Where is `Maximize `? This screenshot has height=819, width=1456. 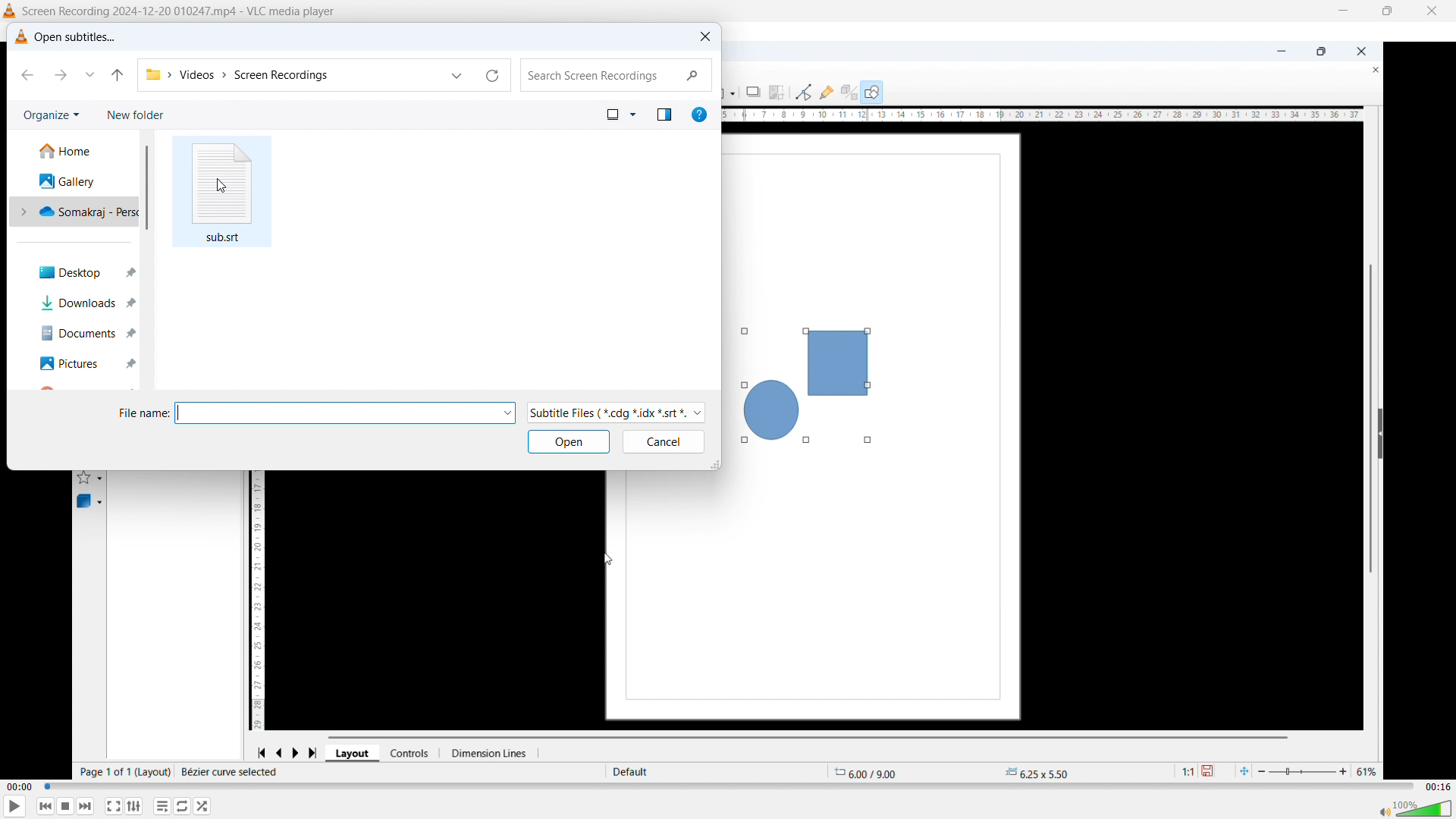 Maximize  is located at coordinates (1385, 11).